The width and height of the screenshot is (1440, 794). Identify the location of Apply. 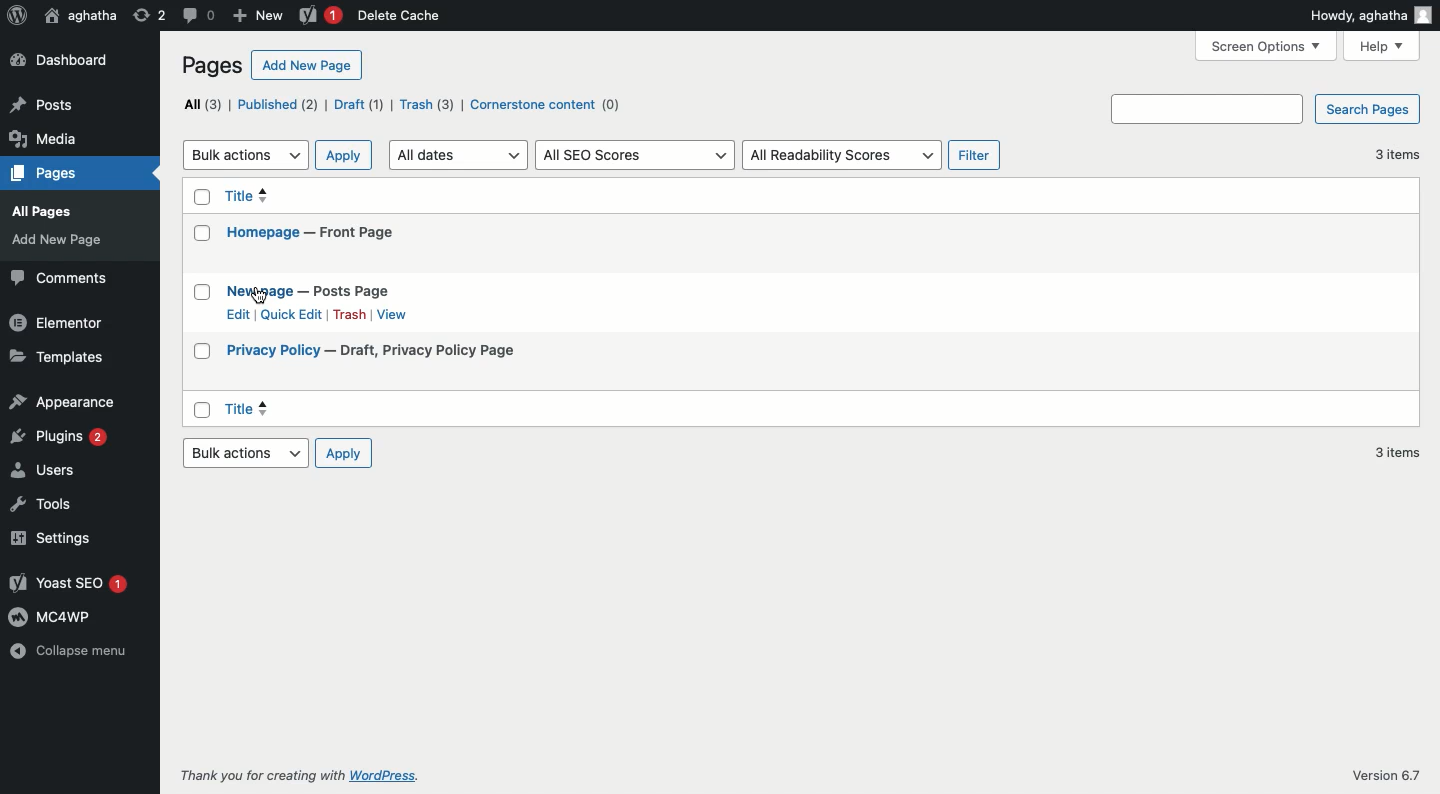
(343, 155).